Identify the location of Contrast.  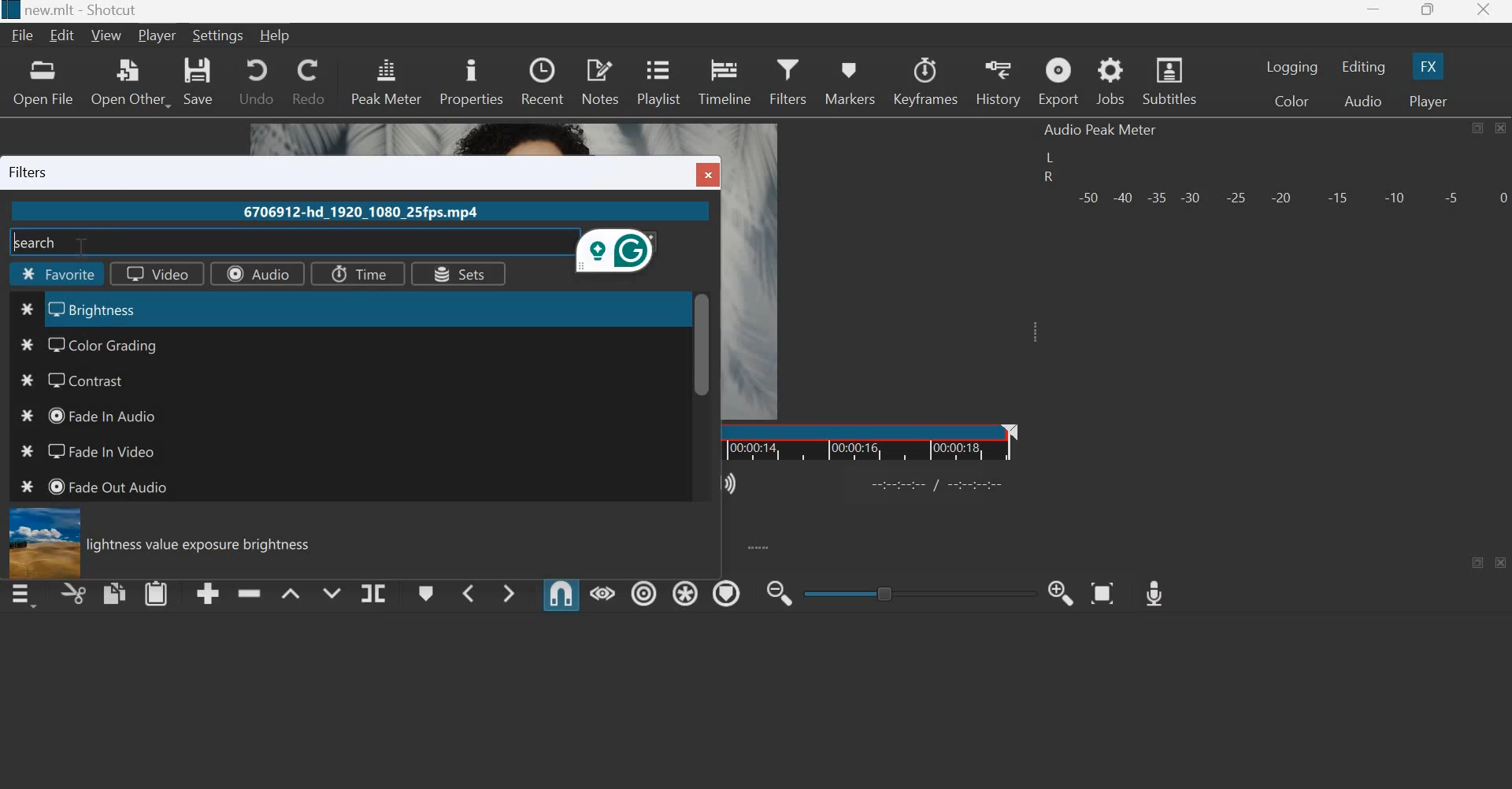
(93, 380).